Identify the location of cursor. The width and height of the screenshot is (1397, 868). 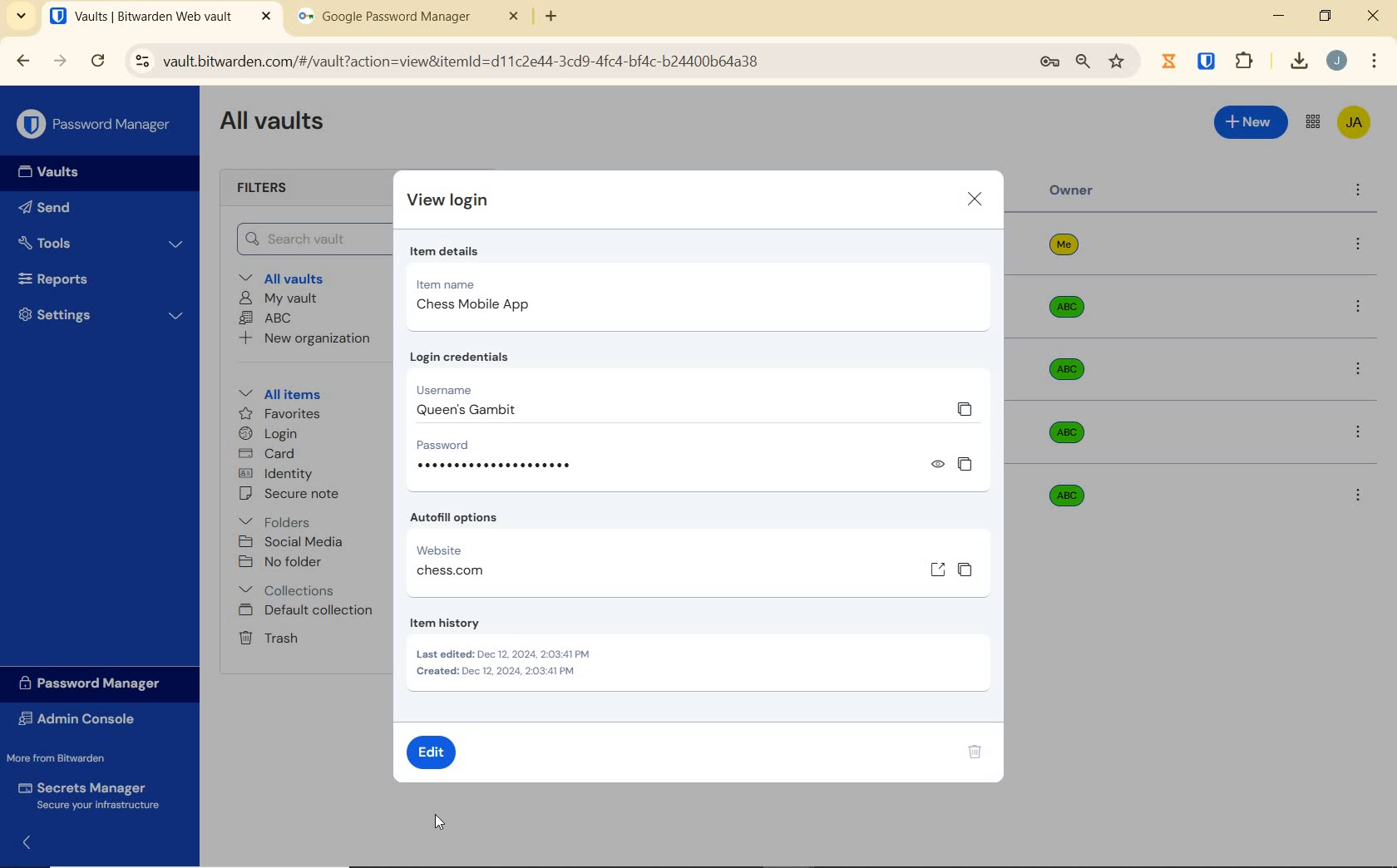
(438, 821).